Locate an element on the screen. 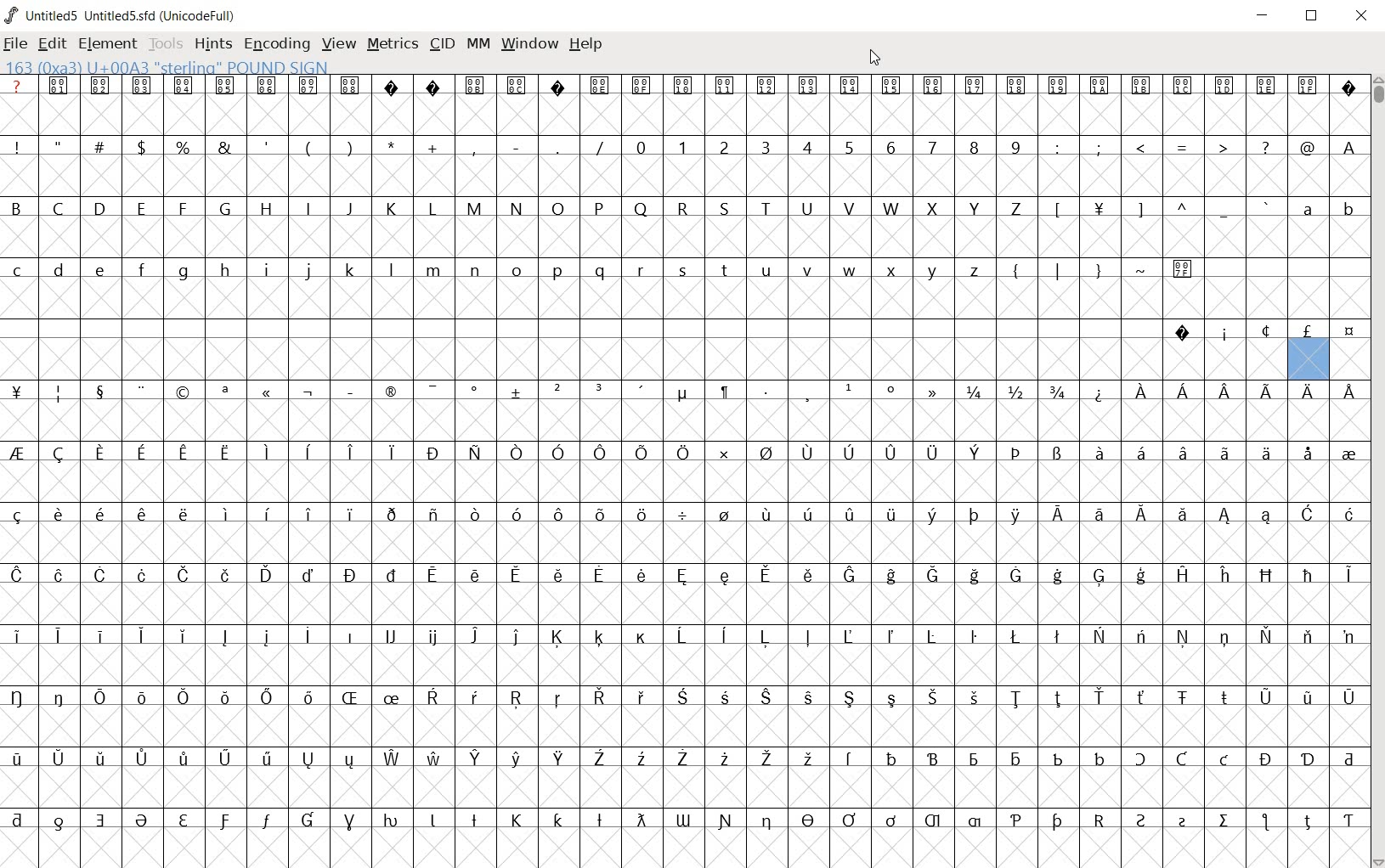 The width and height of the screenshot is (1385, 868). r is located at coordinates (640, 268).